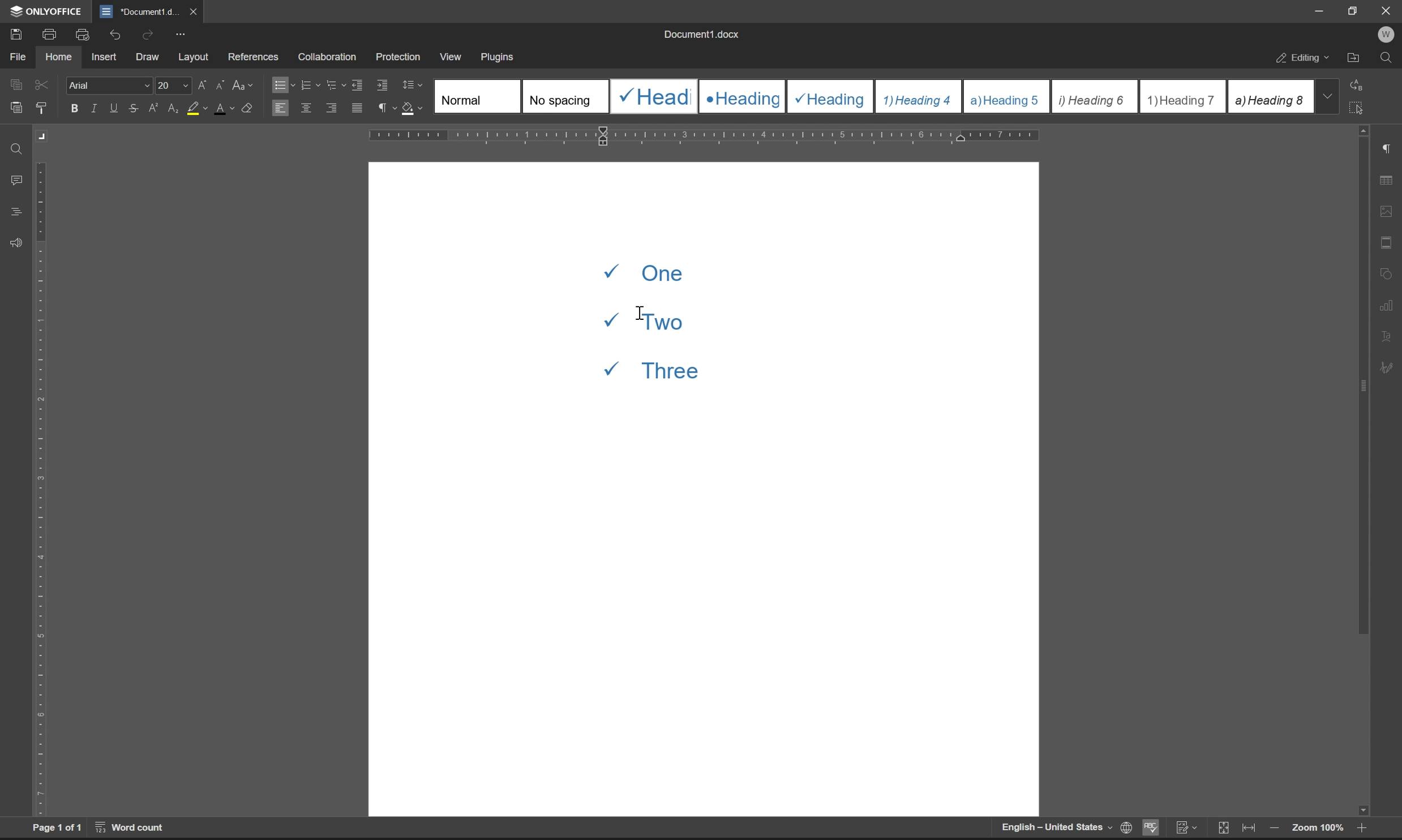 Image resolution: width=1402 pixels, height=840 pixels. What do you see at coordinates (194, 57) in the screenshot?
I see `layout` at bounding box center [194, 57].